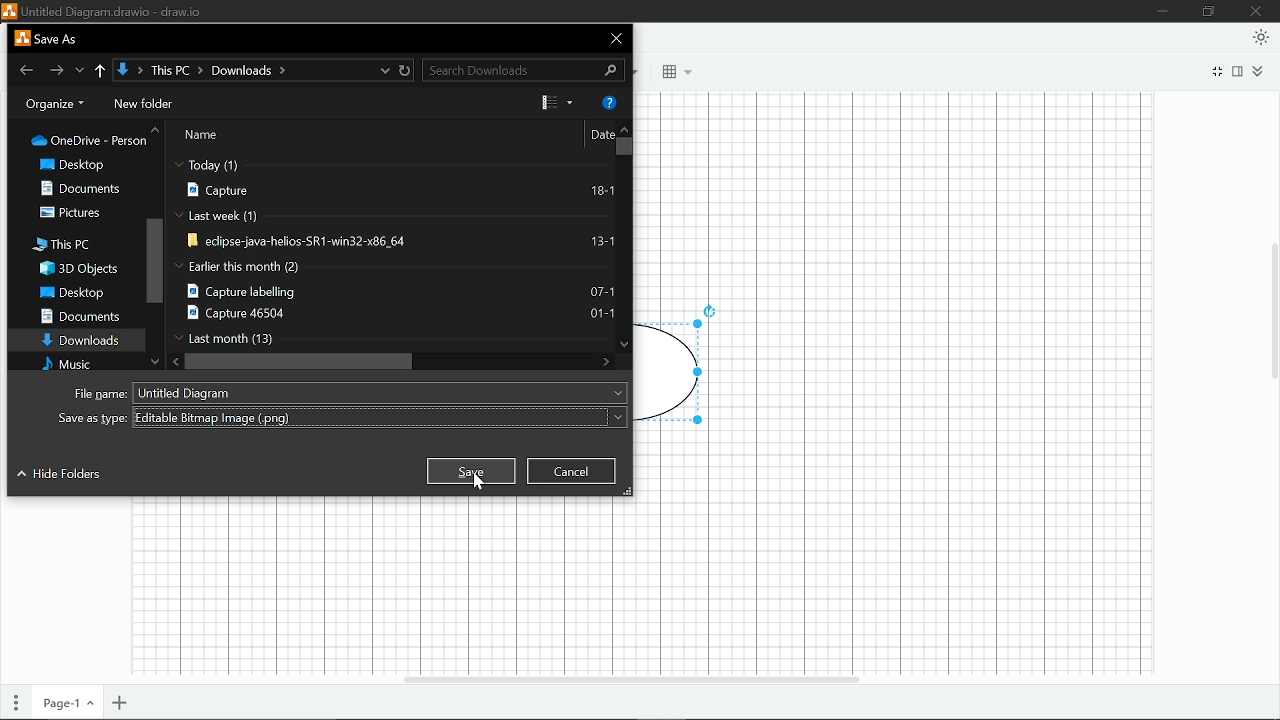 The height and width of the screenshot is (720, 1280). I want to click on Horizontal scrolbar, so click(630, 674).